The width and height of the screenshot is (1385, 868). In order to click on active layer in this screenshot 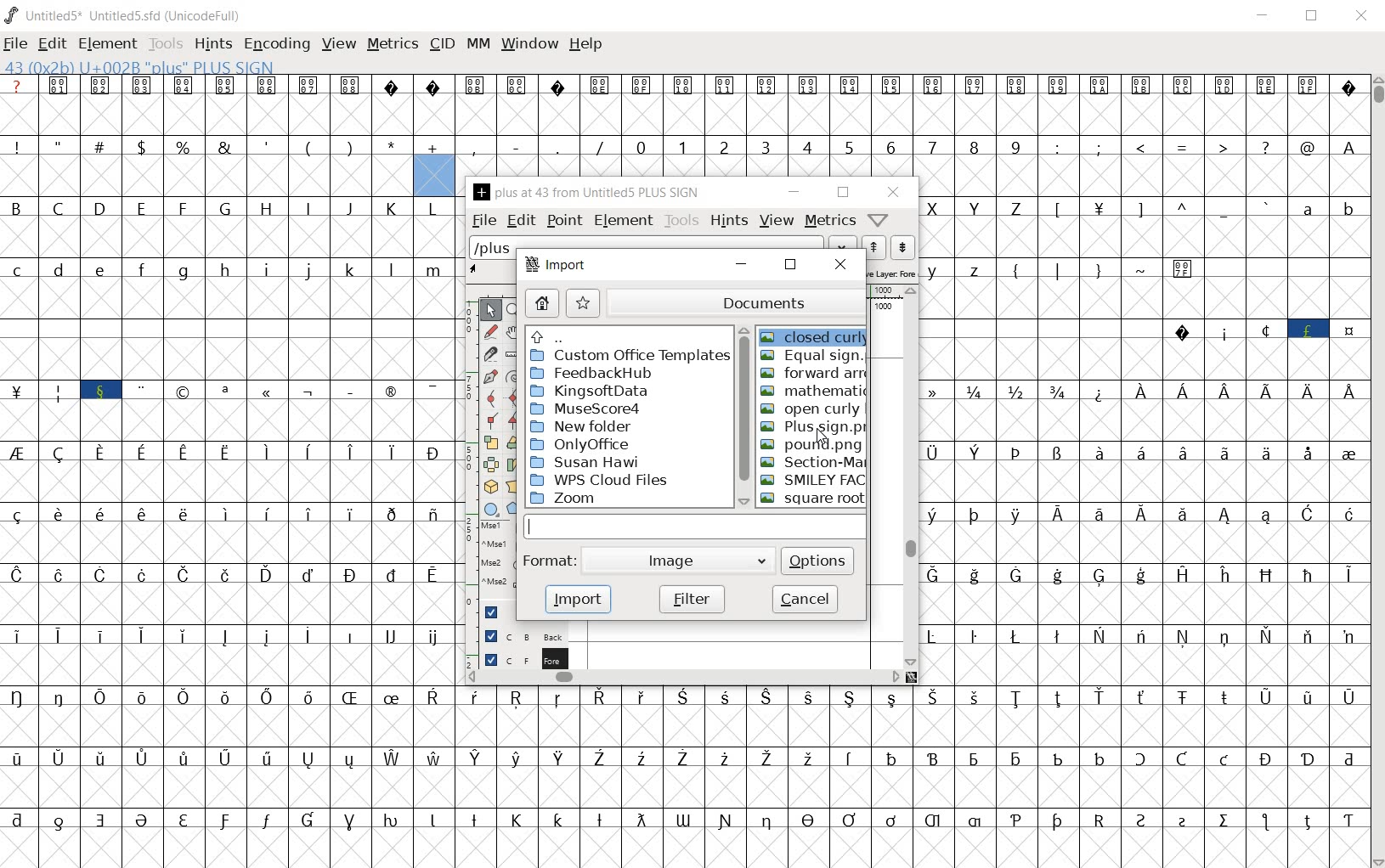, I will do `click(890, 272)`.